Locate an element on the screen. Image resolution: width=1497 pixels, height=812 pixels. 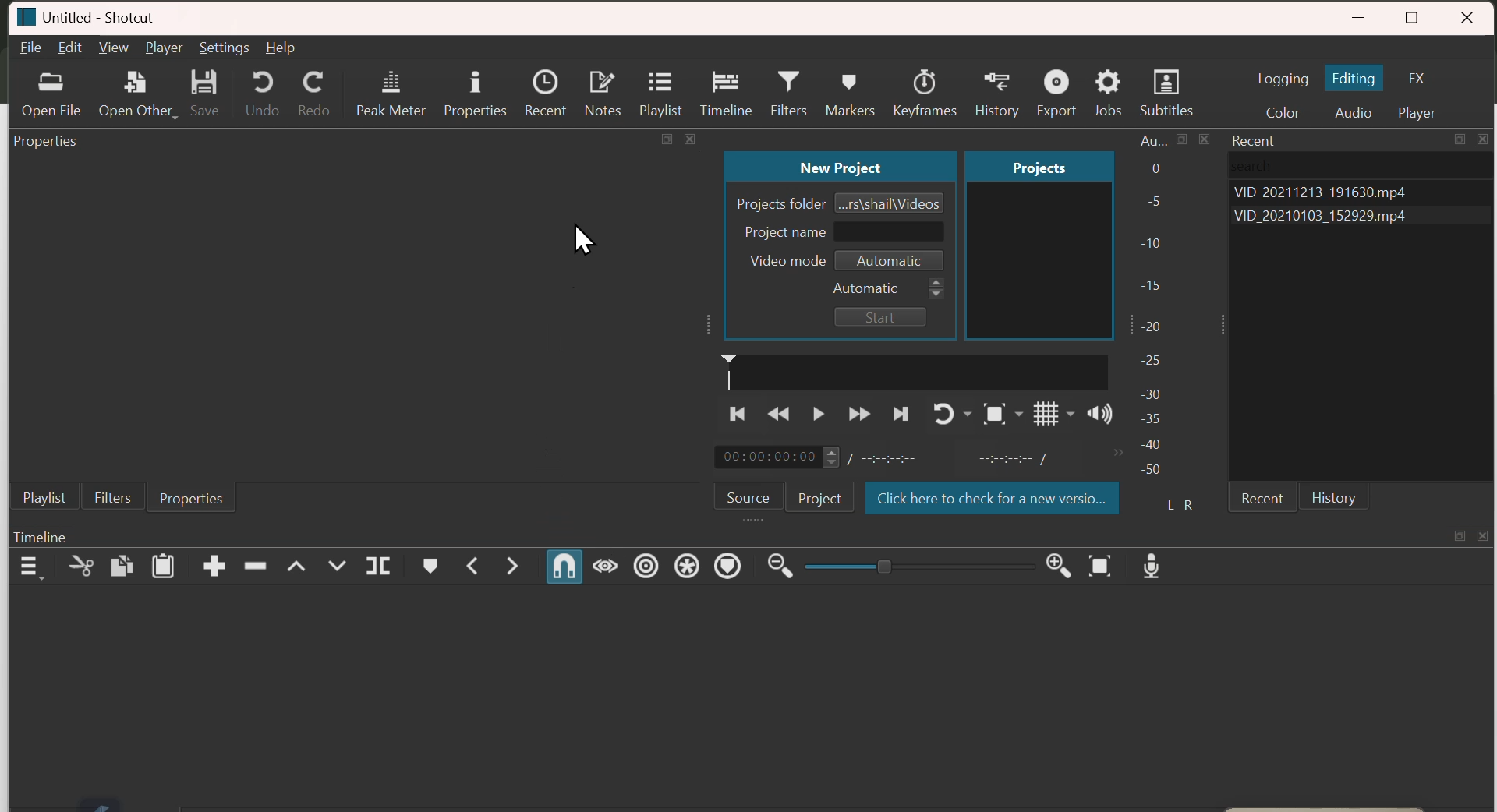
Copy is located at coordinates (122, 566).